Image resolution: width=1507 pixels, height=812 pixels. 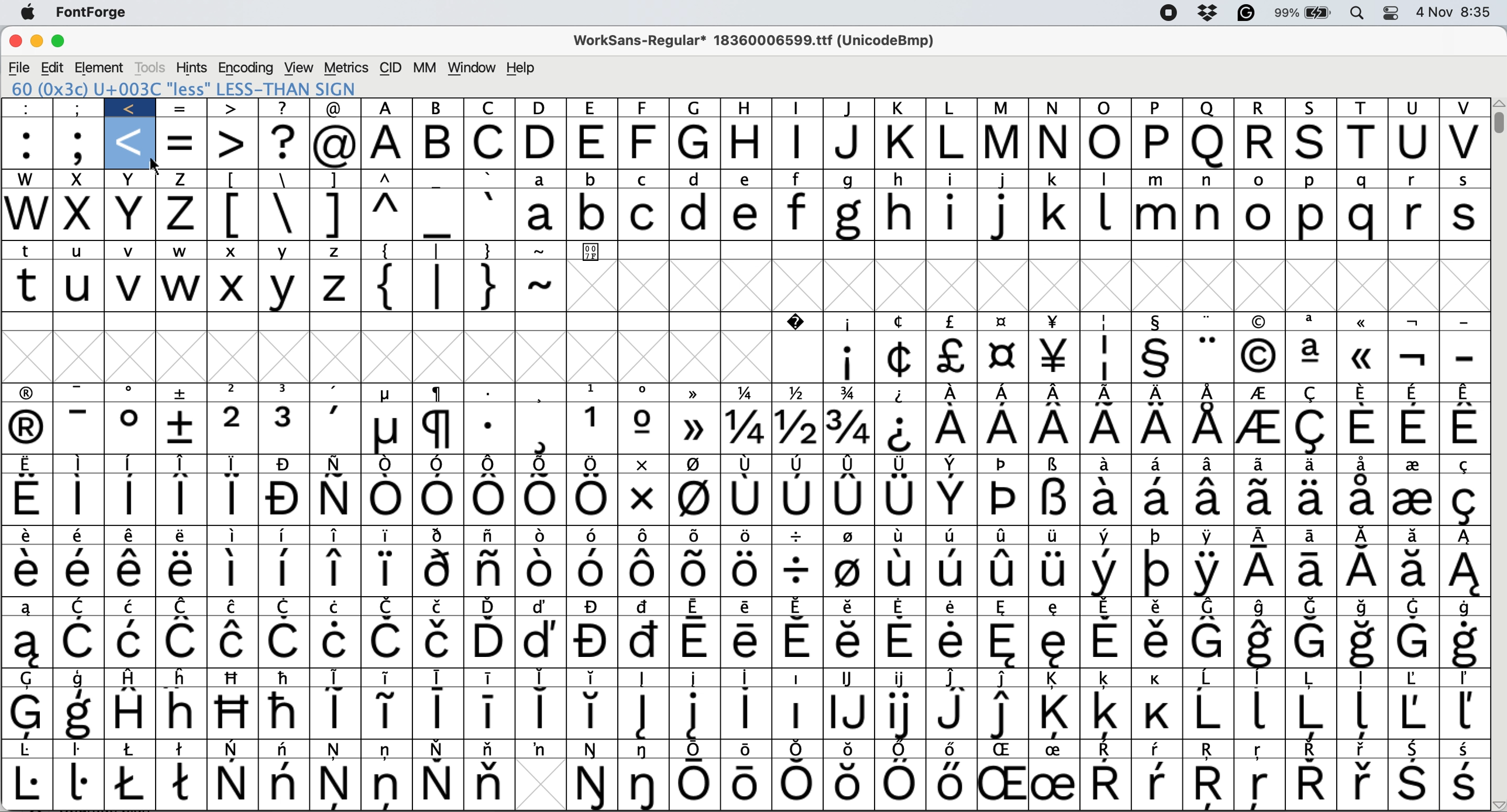 I want to click on Symbol, so click(x=490, y=497).